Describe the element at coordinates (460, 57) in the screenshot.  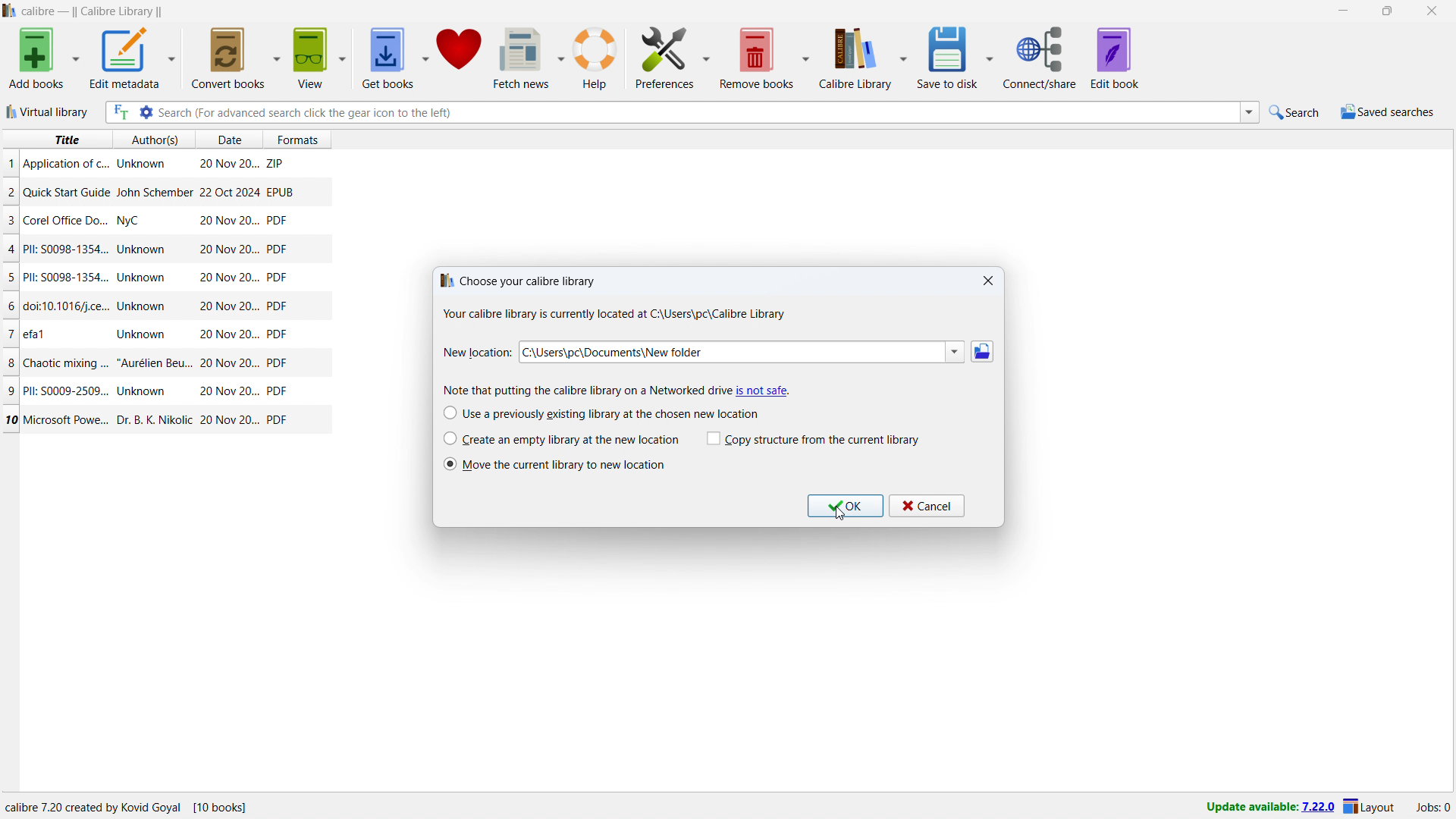
I see `donate to calibre` at that location.